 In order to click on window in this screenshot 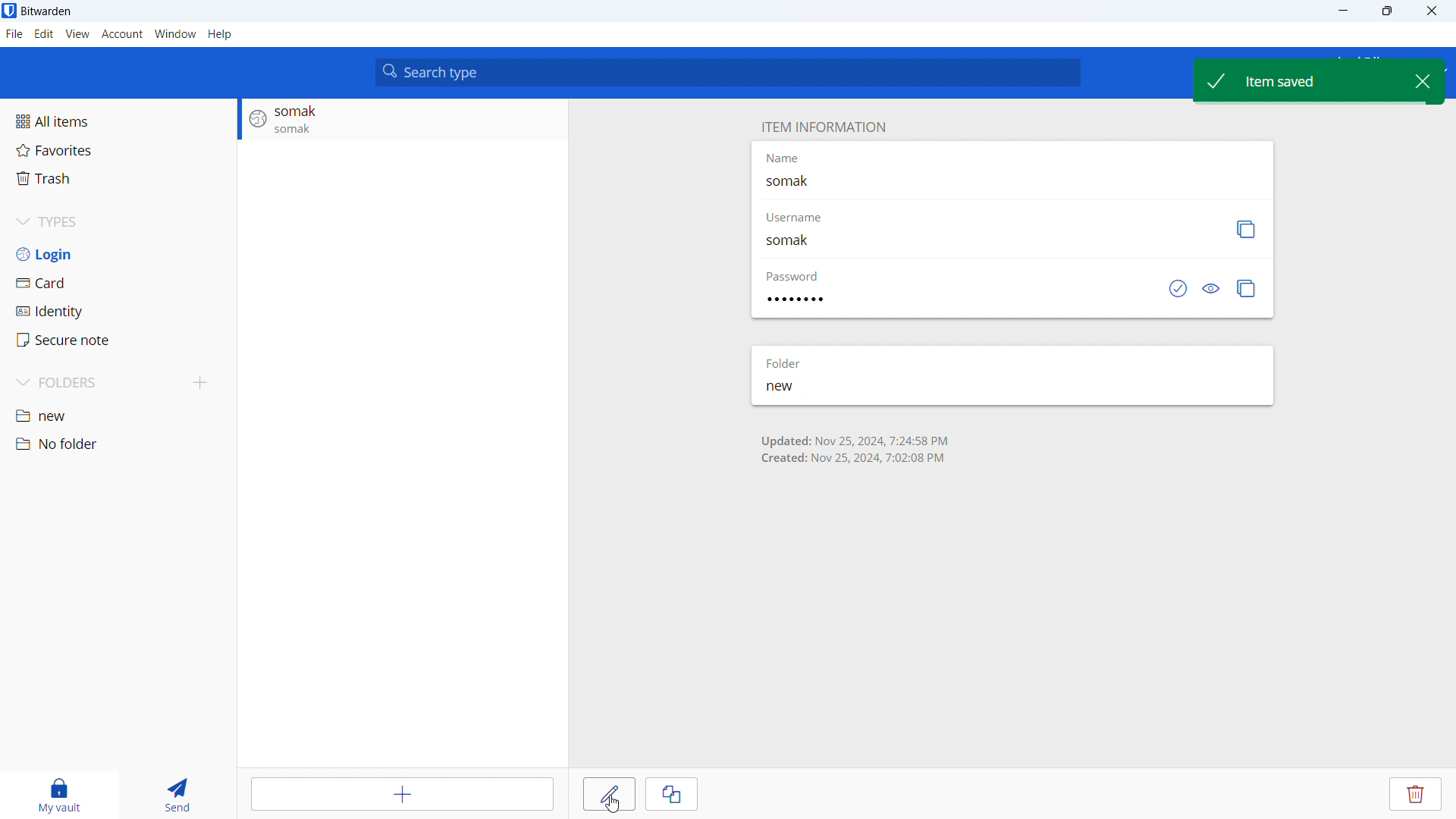, I will do `click(175, 33)`.